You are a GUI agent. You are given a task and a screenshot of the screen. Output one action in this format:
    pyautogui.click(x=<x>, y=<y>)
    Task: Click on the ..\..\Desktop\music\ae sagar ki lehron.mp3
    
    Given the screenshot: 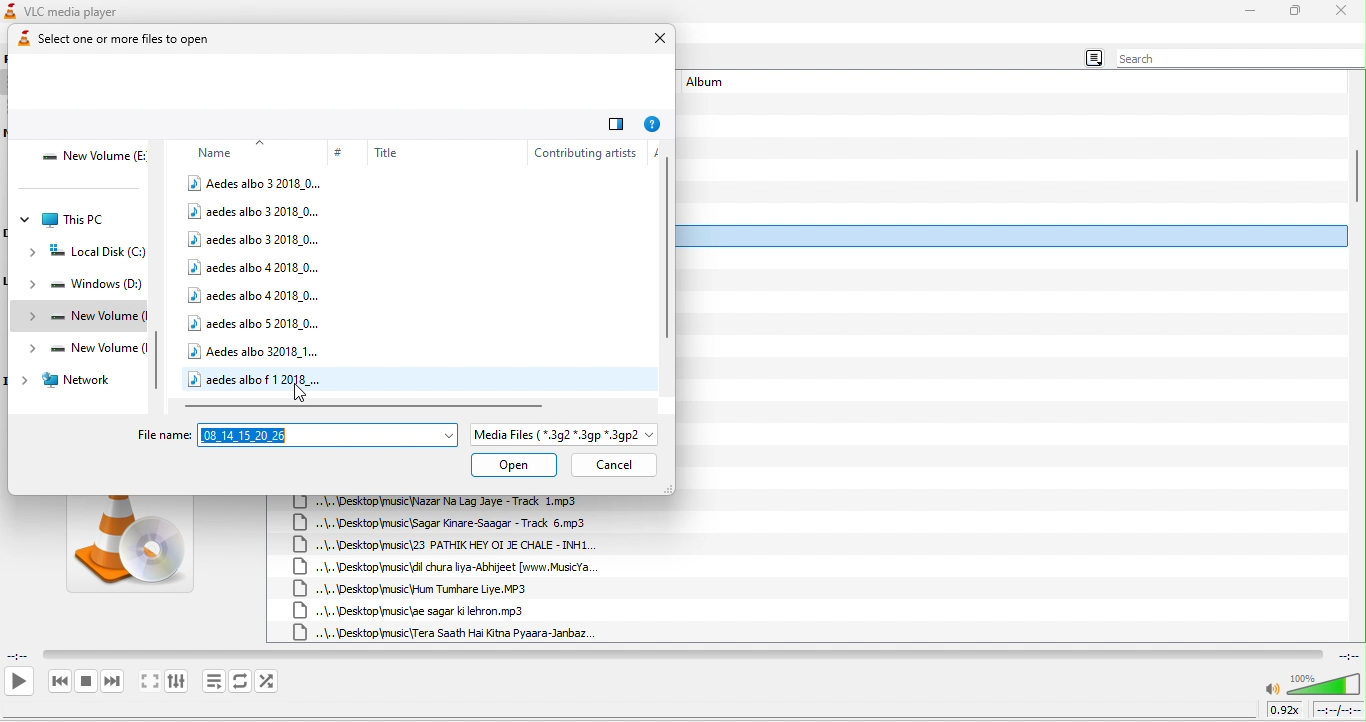 What is the action you would take?
    pyautogui.click(x=418, y=611)
    